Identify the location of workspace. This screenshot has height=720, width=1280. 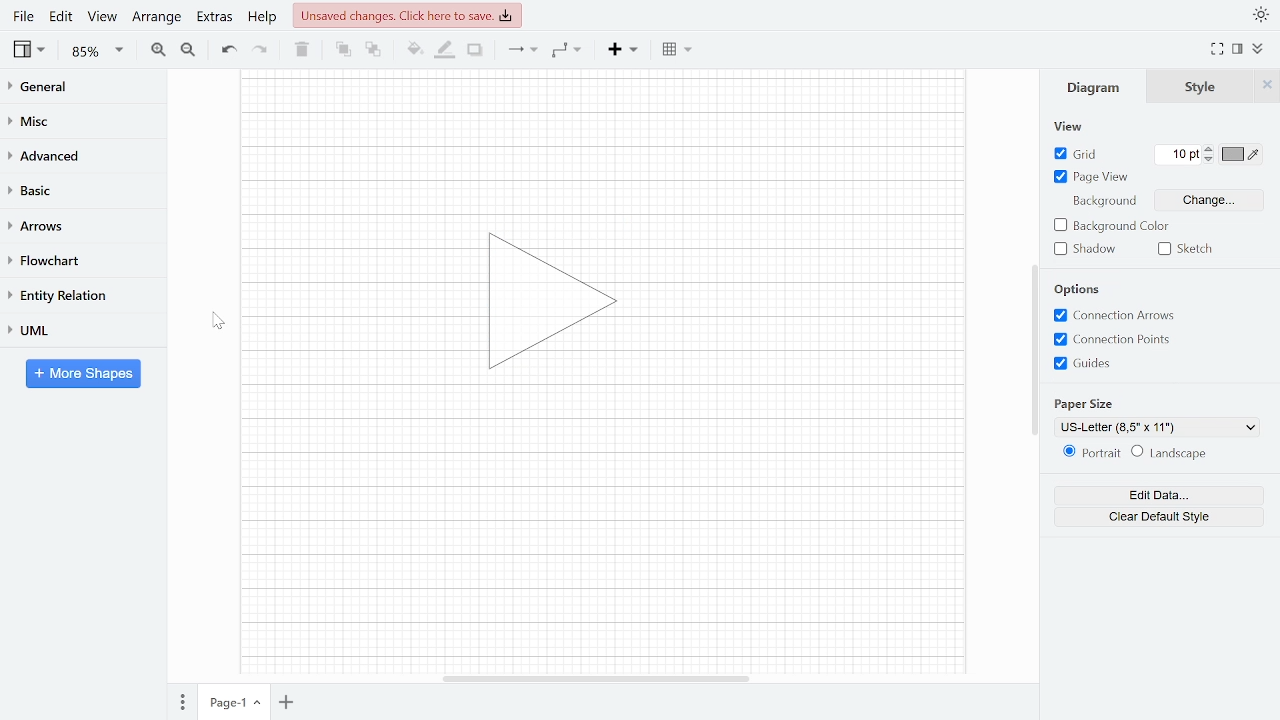
(601, 535).